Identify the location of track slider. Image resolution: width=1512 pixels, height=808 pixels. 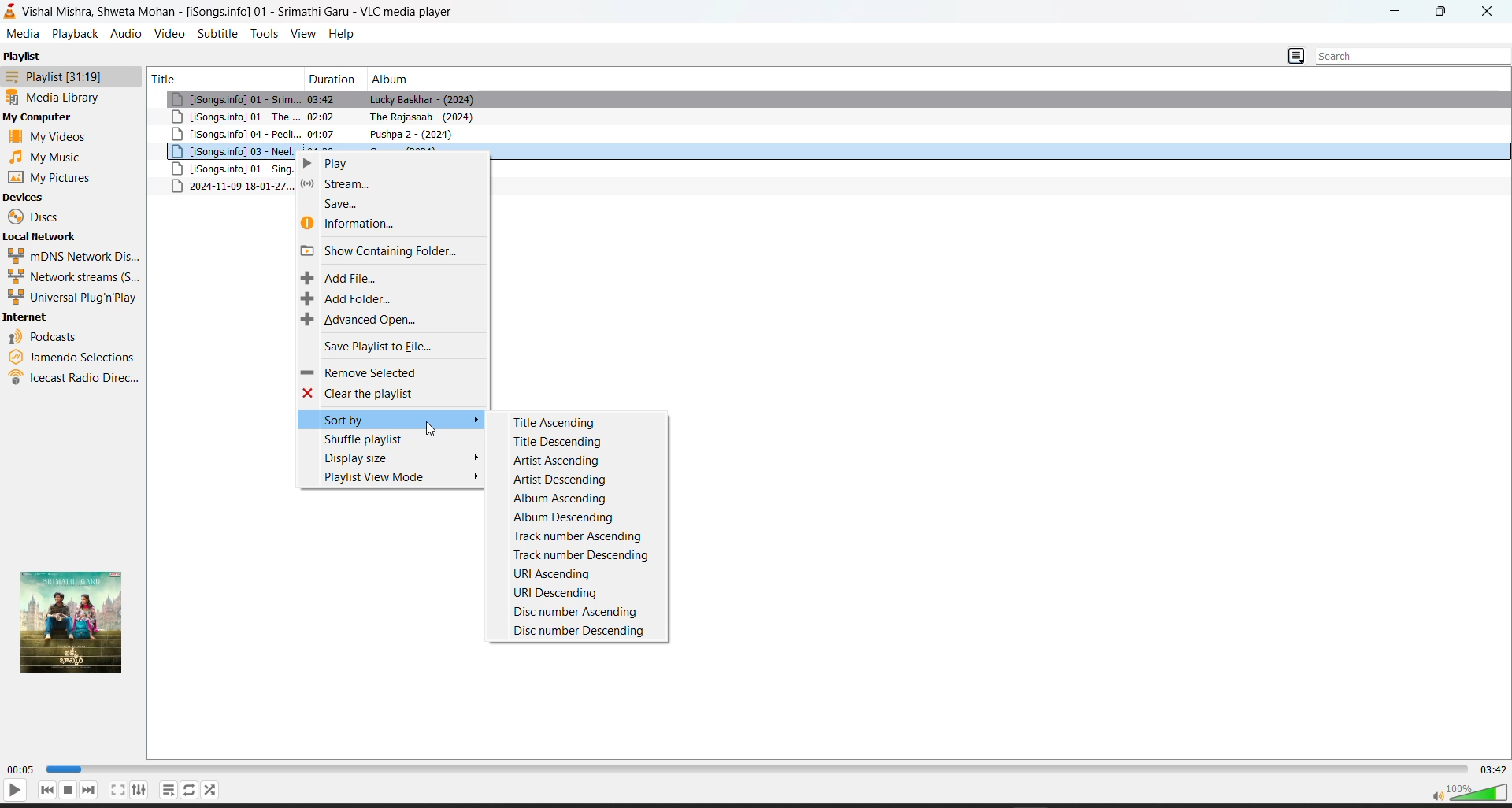
(754, 770).